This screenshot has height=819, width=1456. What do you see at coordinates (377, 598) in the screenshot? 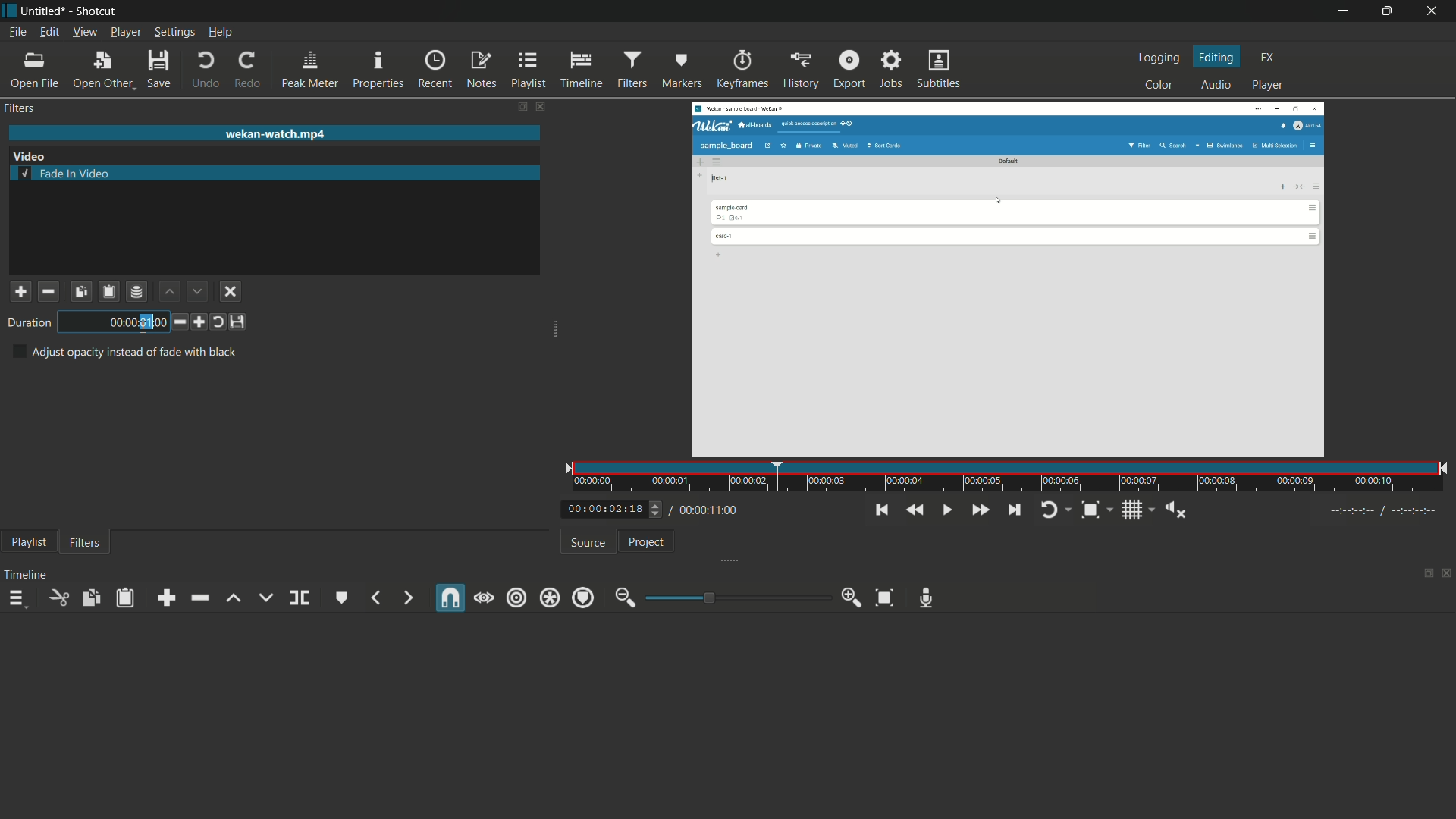
I see `previous marker` at bounding box center [377, 598].